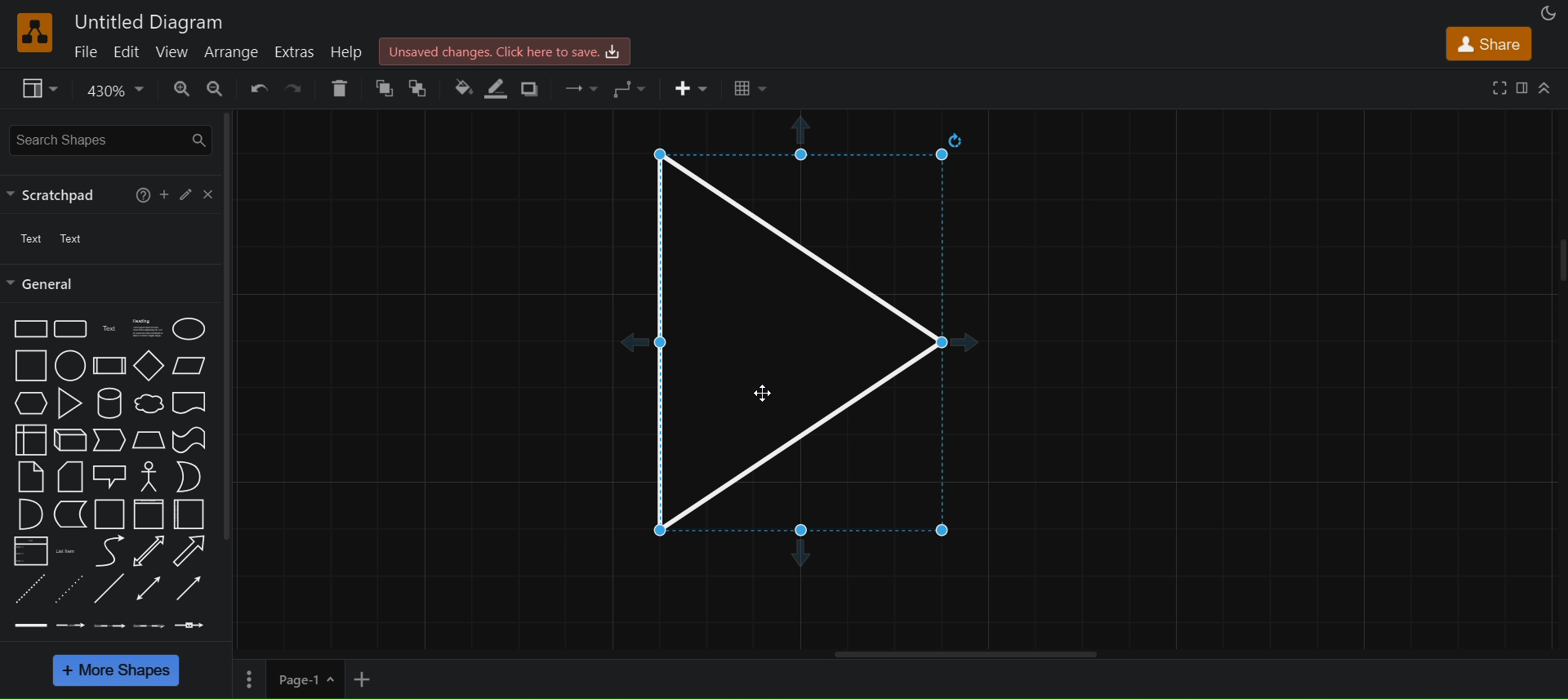 The image size is (1568, 699). I want to click on insert, so click(692, 88).